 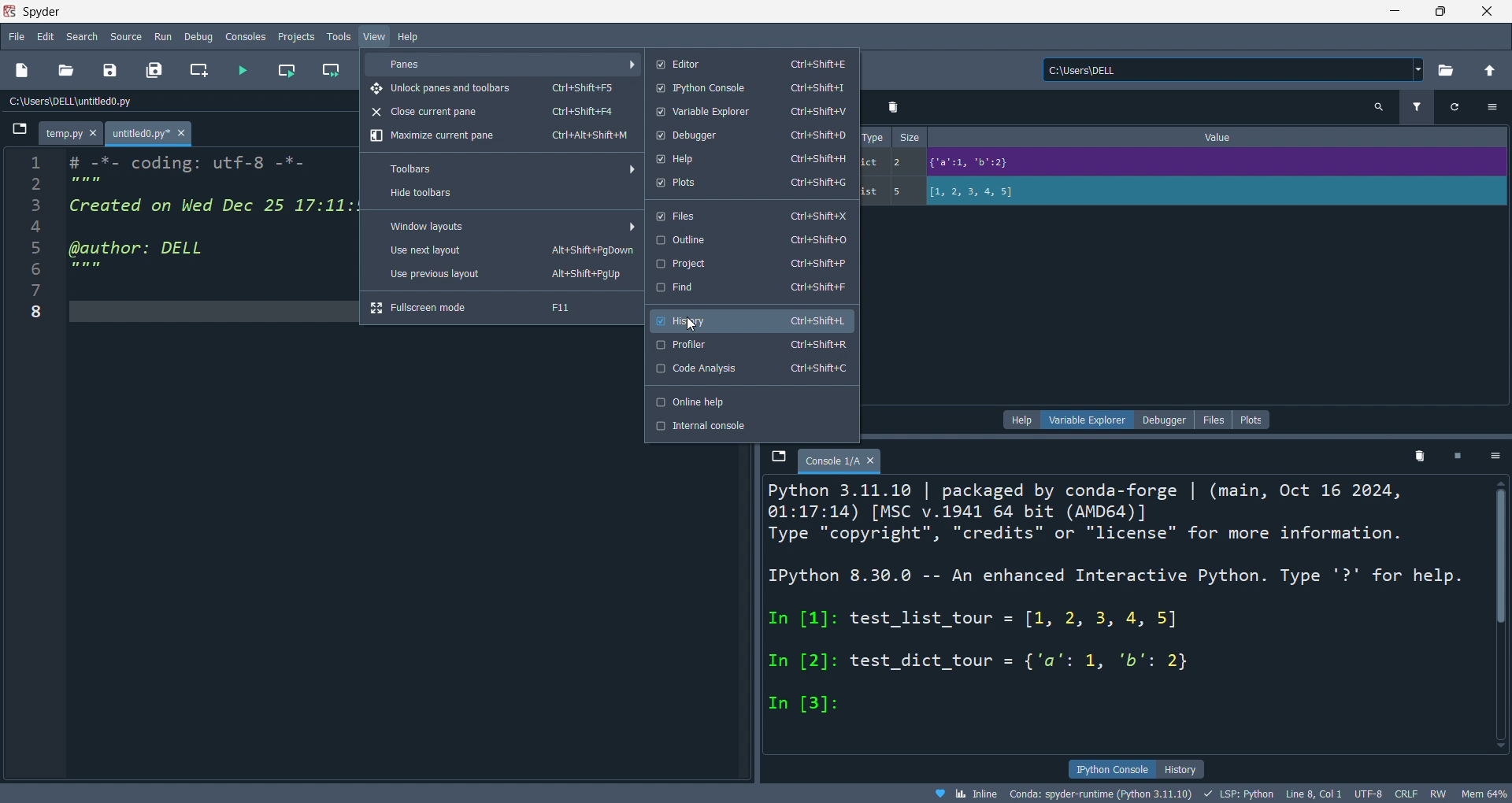 I want to click on file encoding, so click(x=1367, y=794).